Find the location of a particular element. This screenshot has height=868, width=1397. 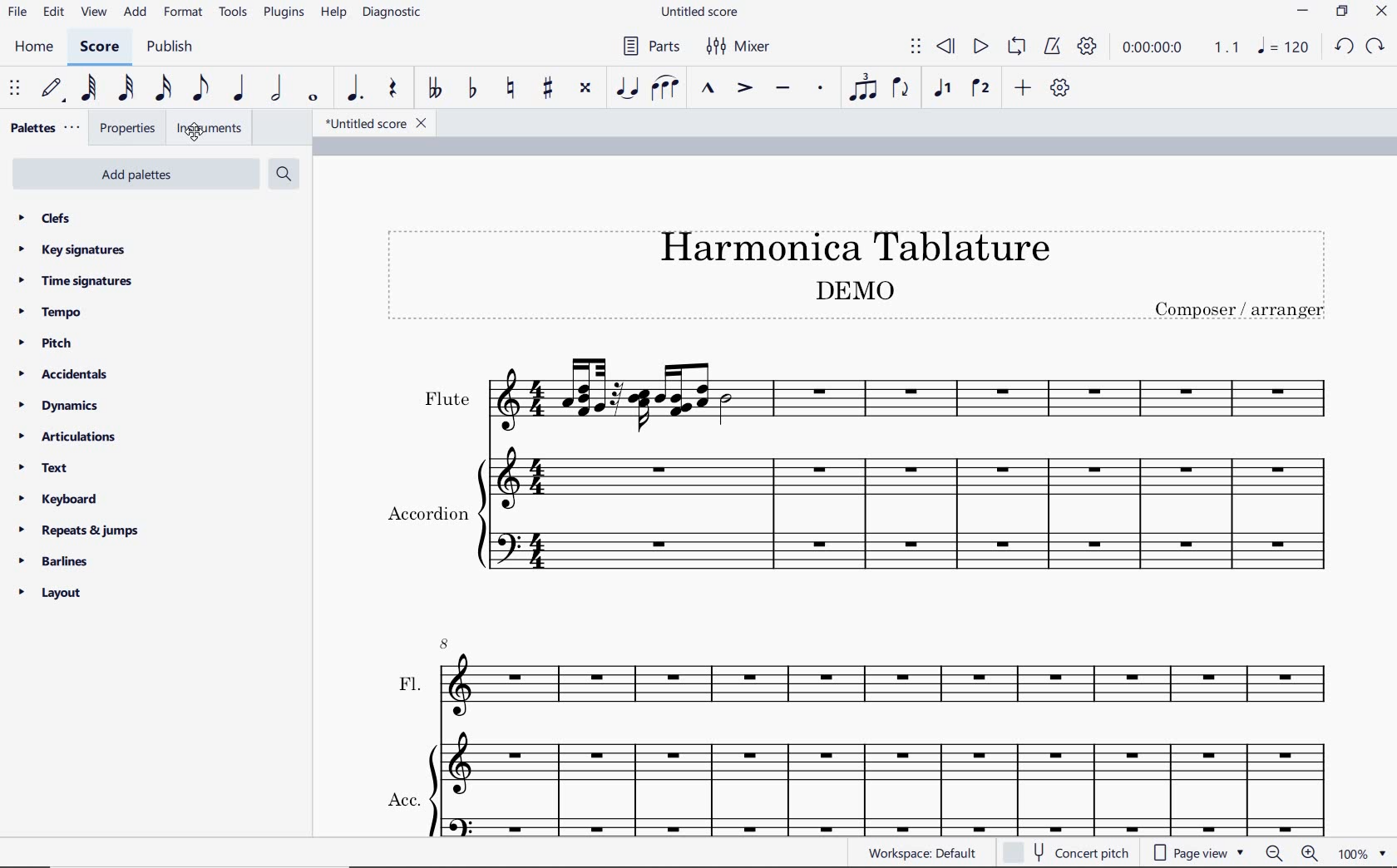

marcato is located at coordinates (708, 90).